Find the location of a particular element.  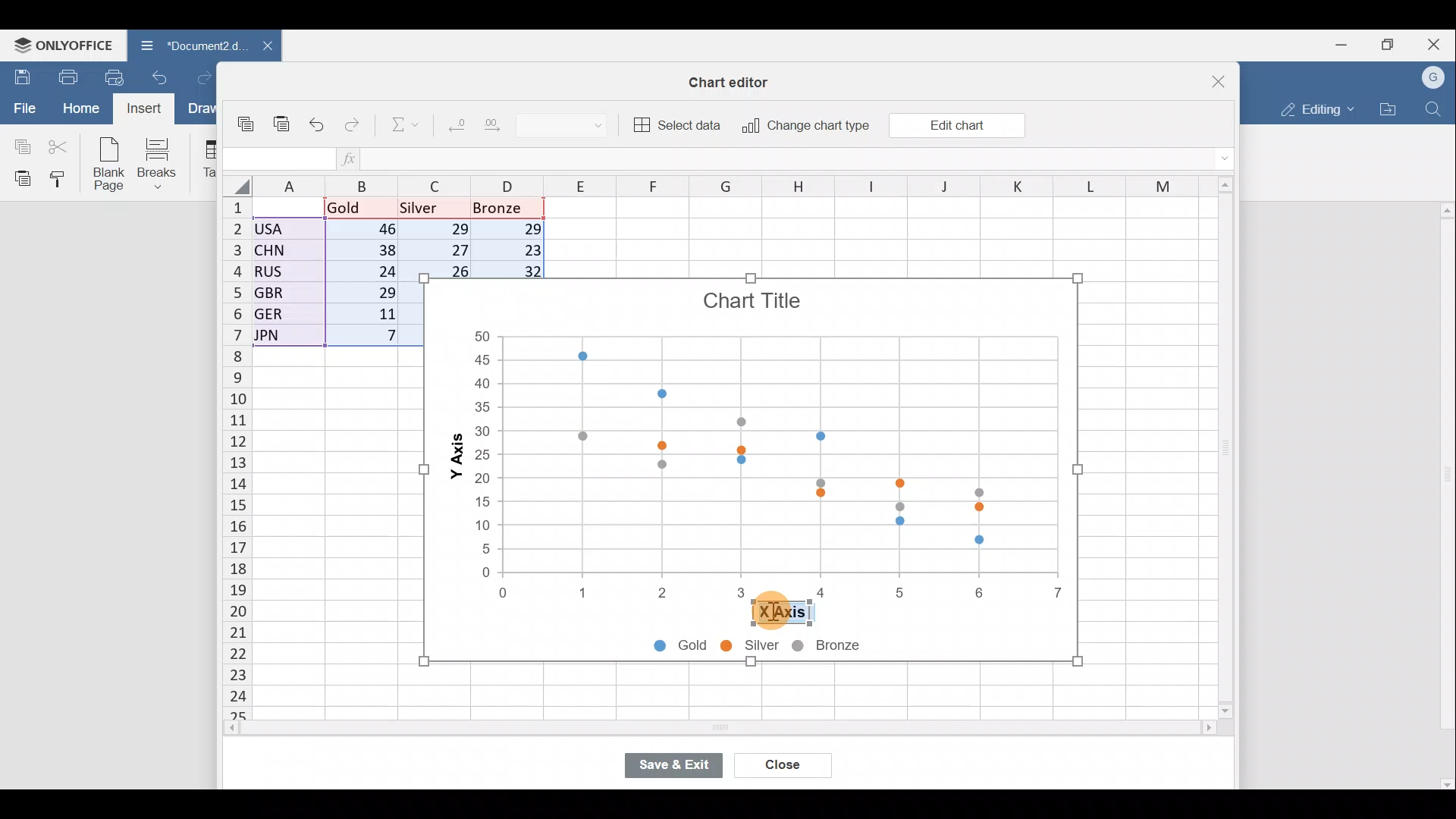

Chart editor is located at coordinates (736, 79).